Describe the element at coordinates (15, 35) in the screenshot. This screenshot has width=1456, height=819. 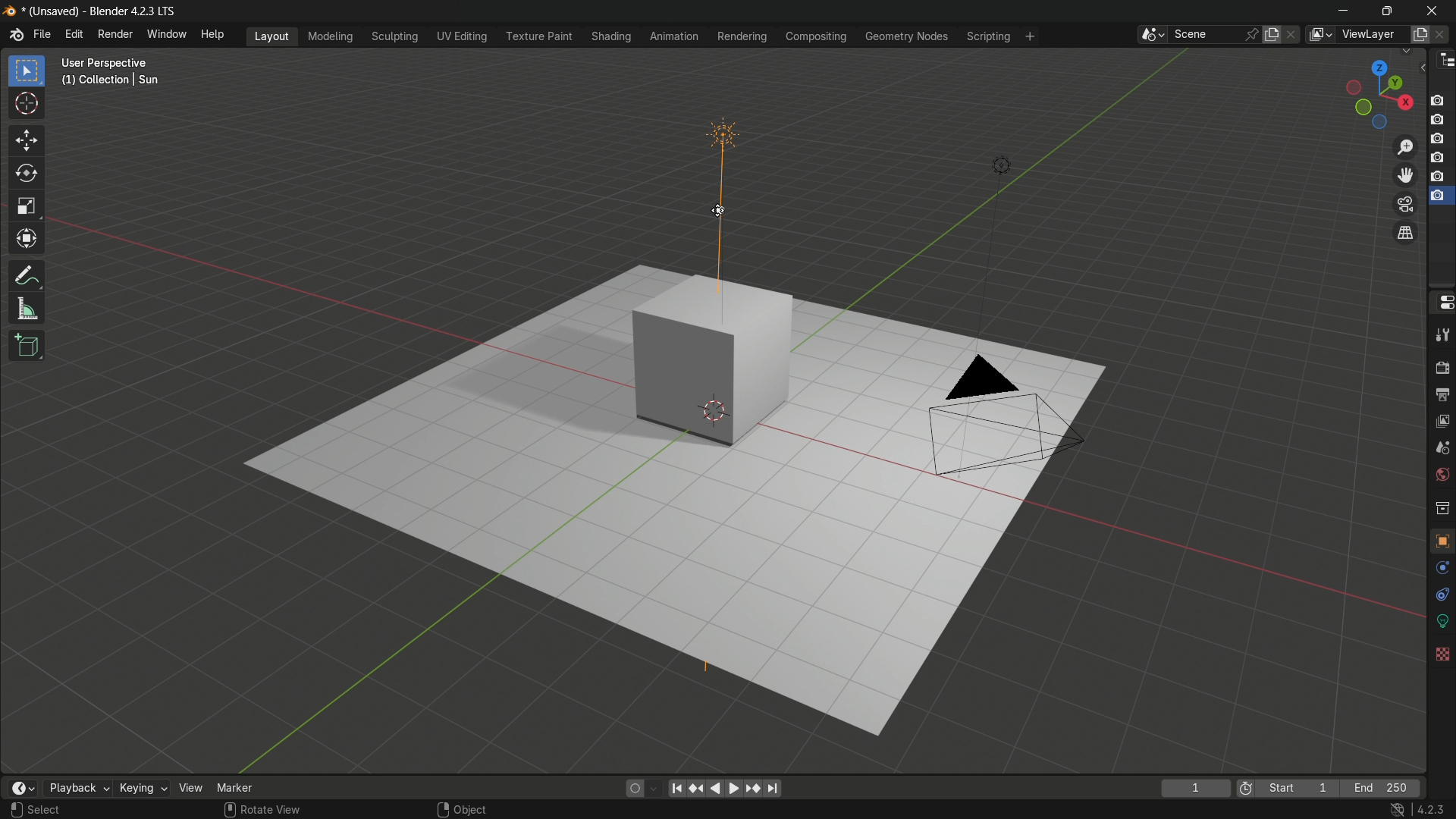
I see `logo` at that location.